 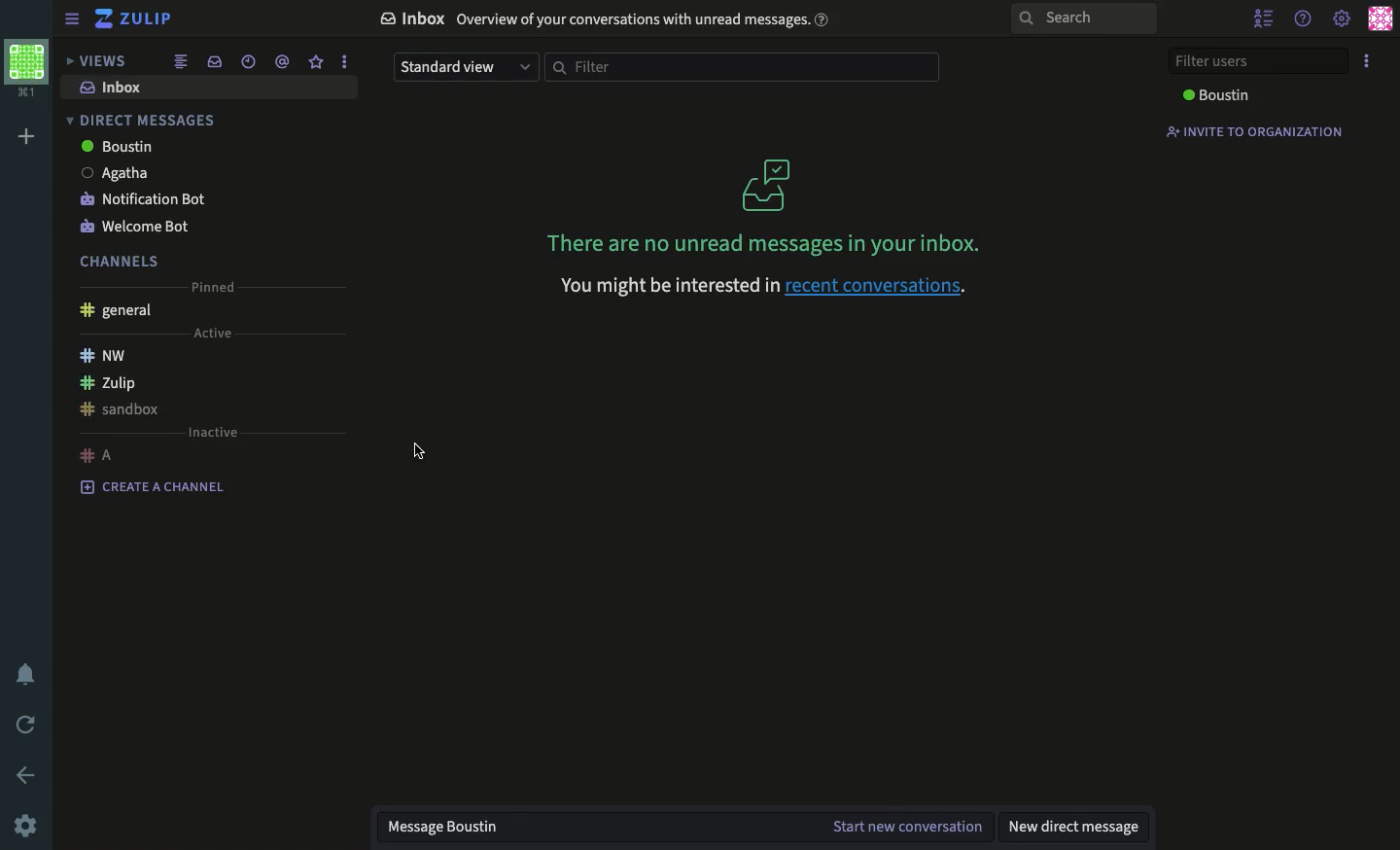 What do you see at coordinates (1304, 18) in the screenshot?
I see `help` at bounding box center [1304, 18].